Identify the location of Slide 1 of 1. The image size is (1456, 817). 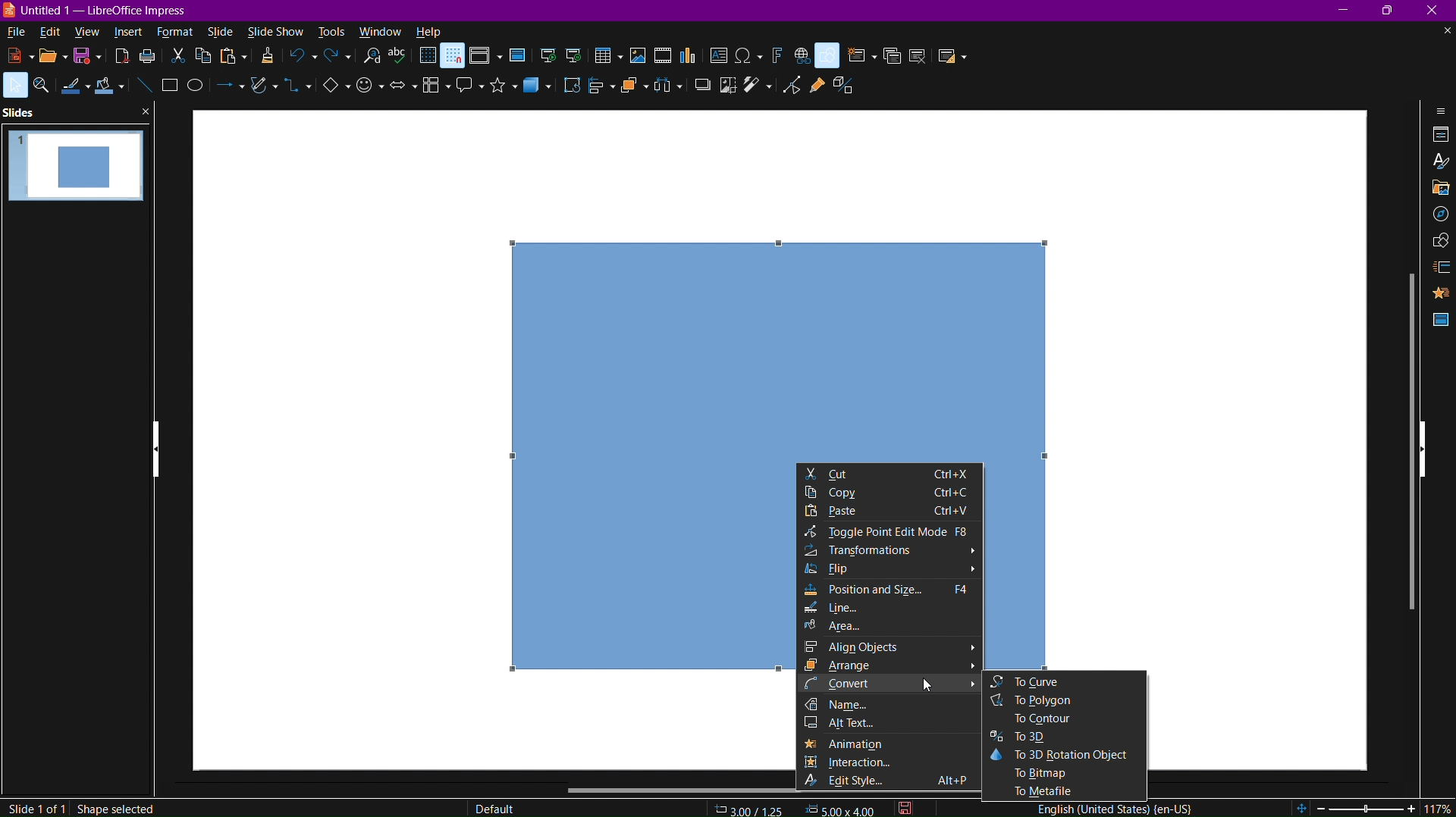
(39, 806).